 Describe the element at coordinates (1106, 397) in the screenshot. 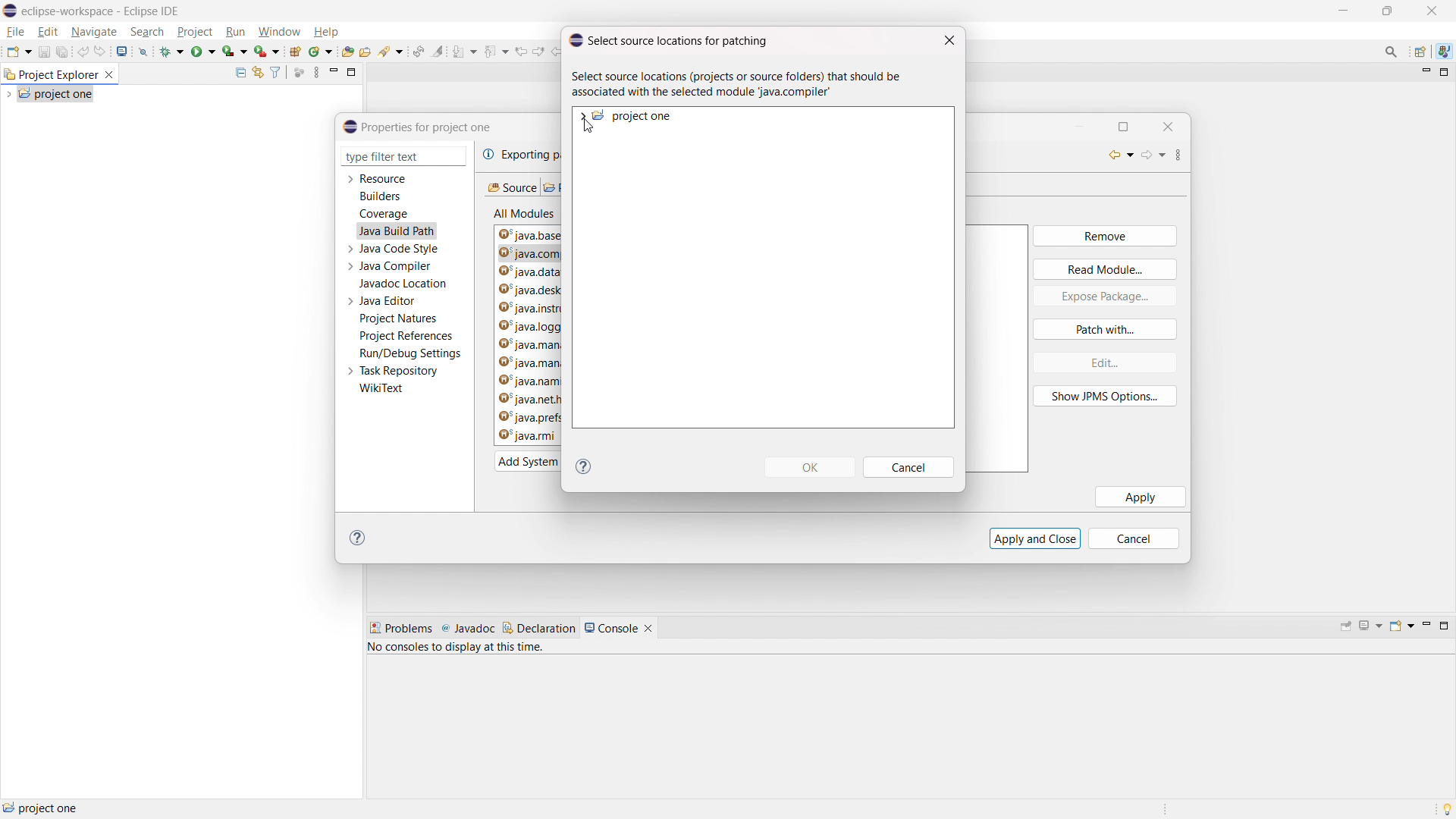

I see `show JPMS option` at that location.